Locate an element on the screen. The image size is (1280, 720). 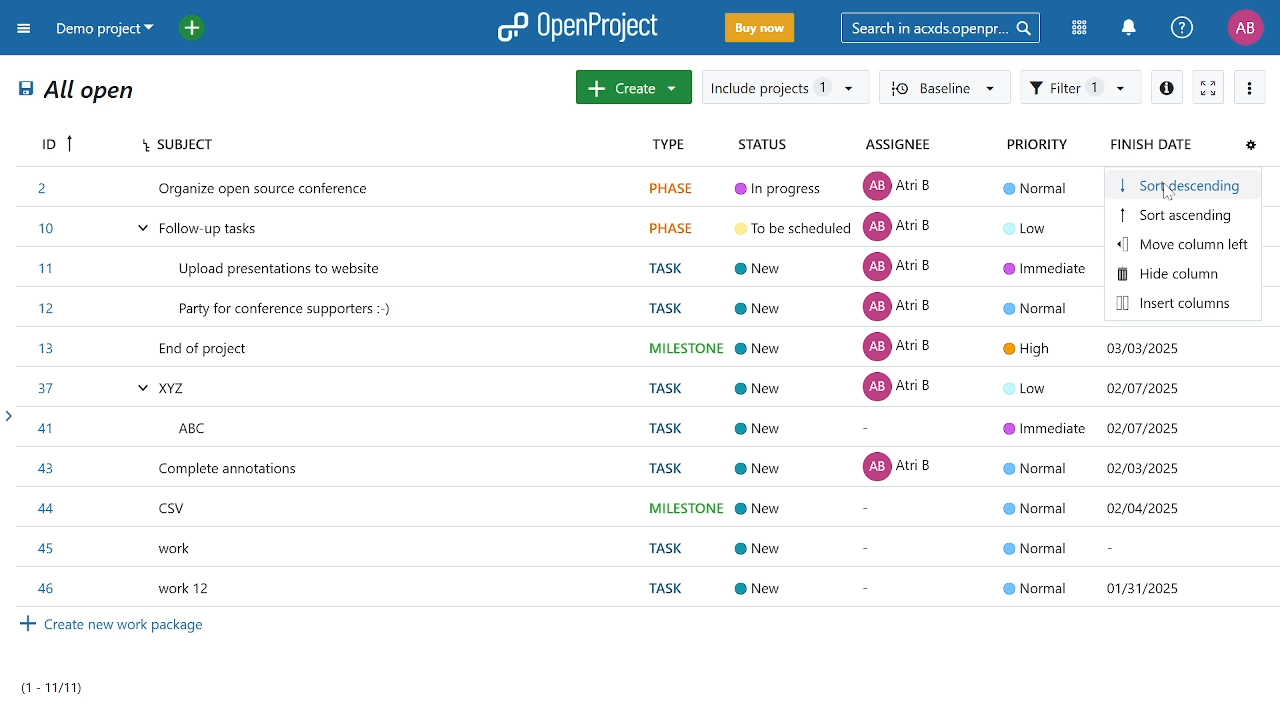
include project is located at coordinates (782, 87).